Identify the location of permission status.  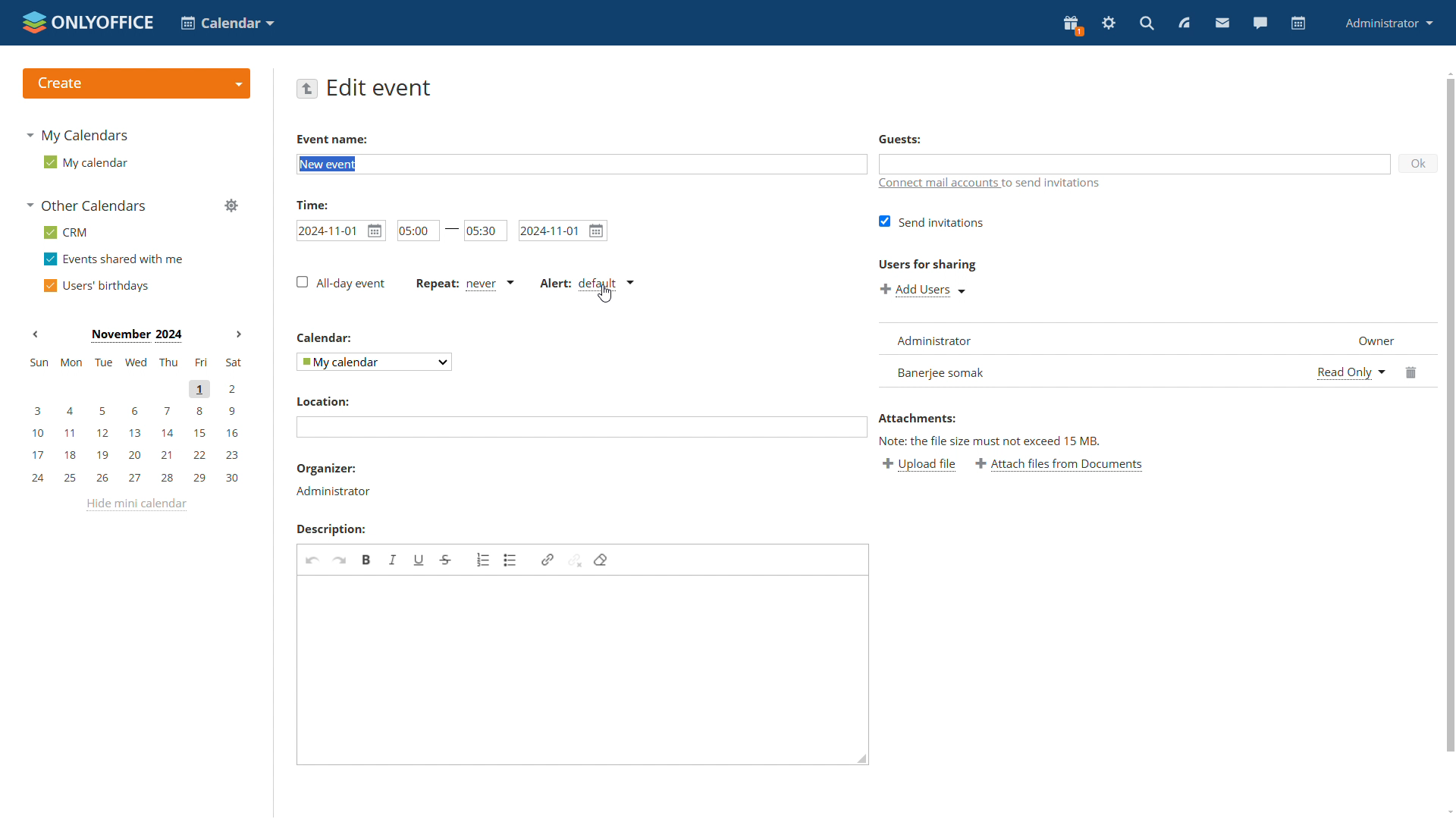
(1351, 371).